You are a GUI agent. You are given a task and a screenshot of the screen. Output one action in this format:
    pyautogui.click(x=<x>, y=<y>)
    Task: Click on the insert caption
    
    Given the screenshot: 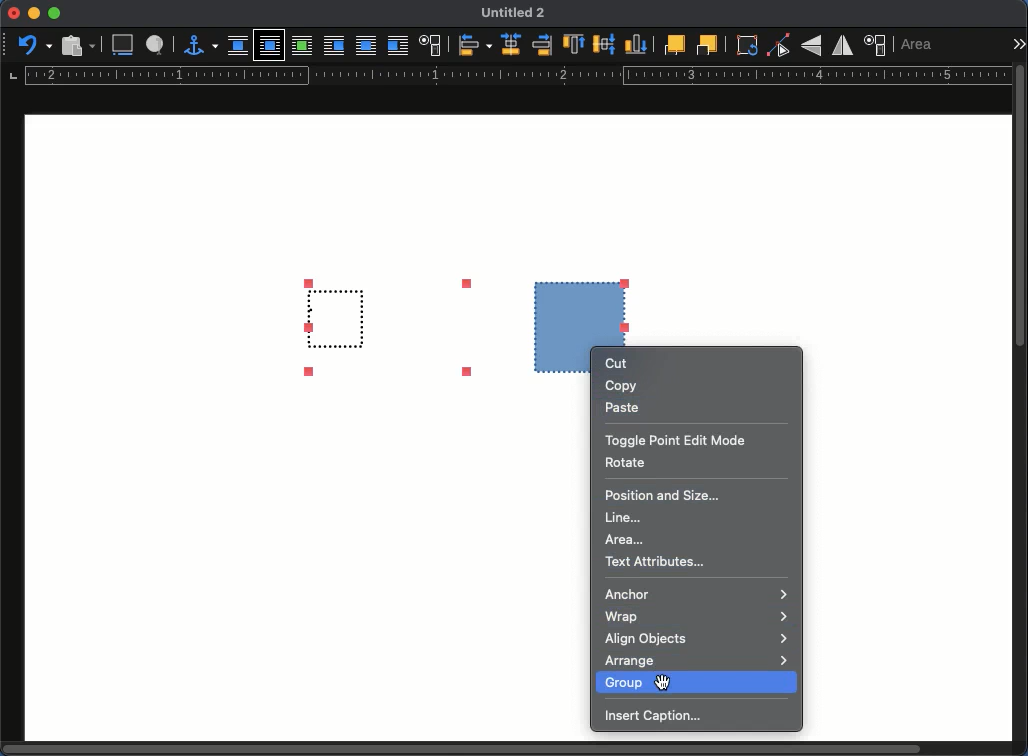 What is the action you would take?
    pyautogui.click(x=660, y=715)
    